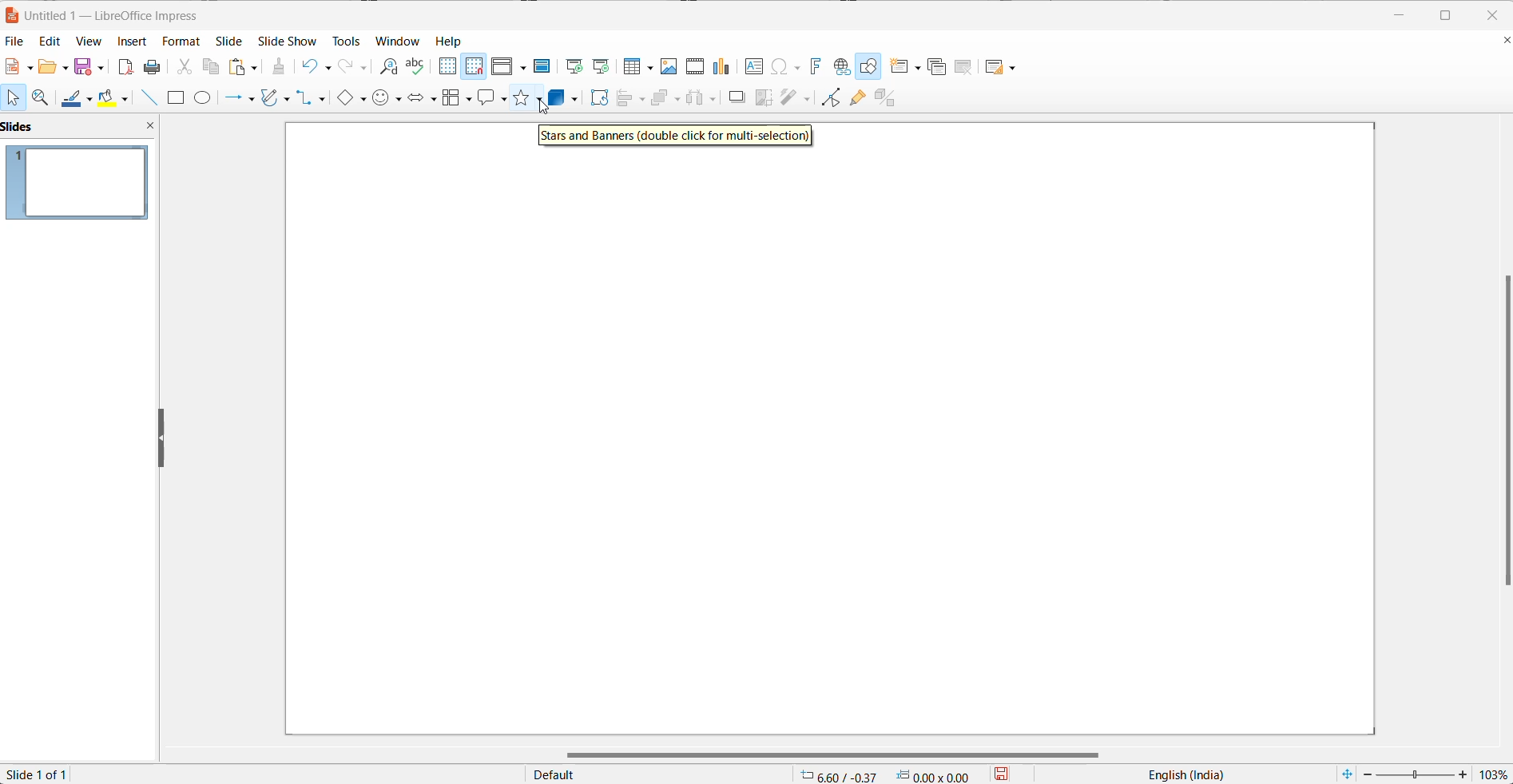 The height and width of the screenshot is (784, 1513). I want to click on DELETE SLIDE, so click(964, 69).